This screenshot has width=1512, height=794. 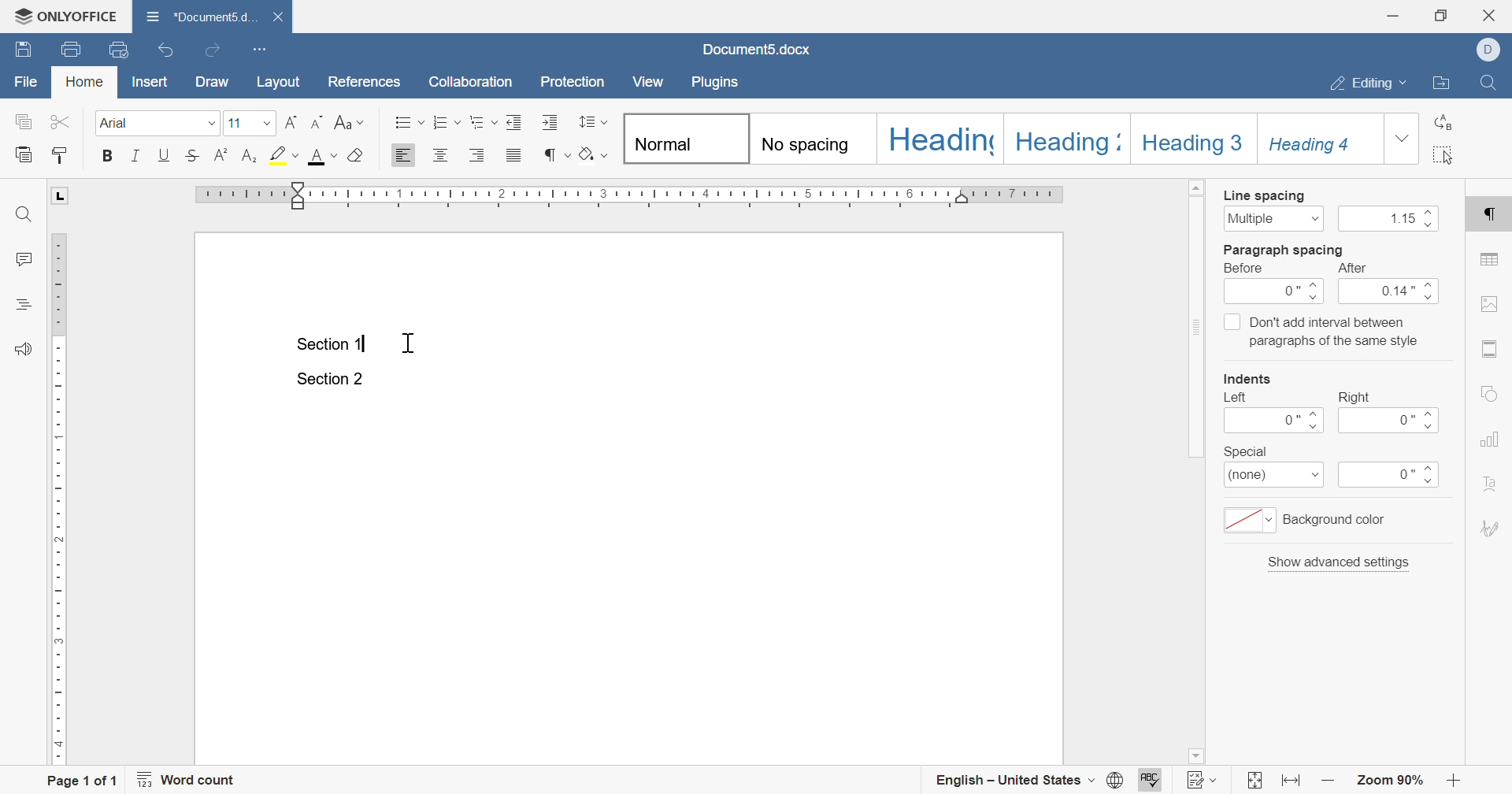 I want to click on ruler, so click(x=60, y=499).